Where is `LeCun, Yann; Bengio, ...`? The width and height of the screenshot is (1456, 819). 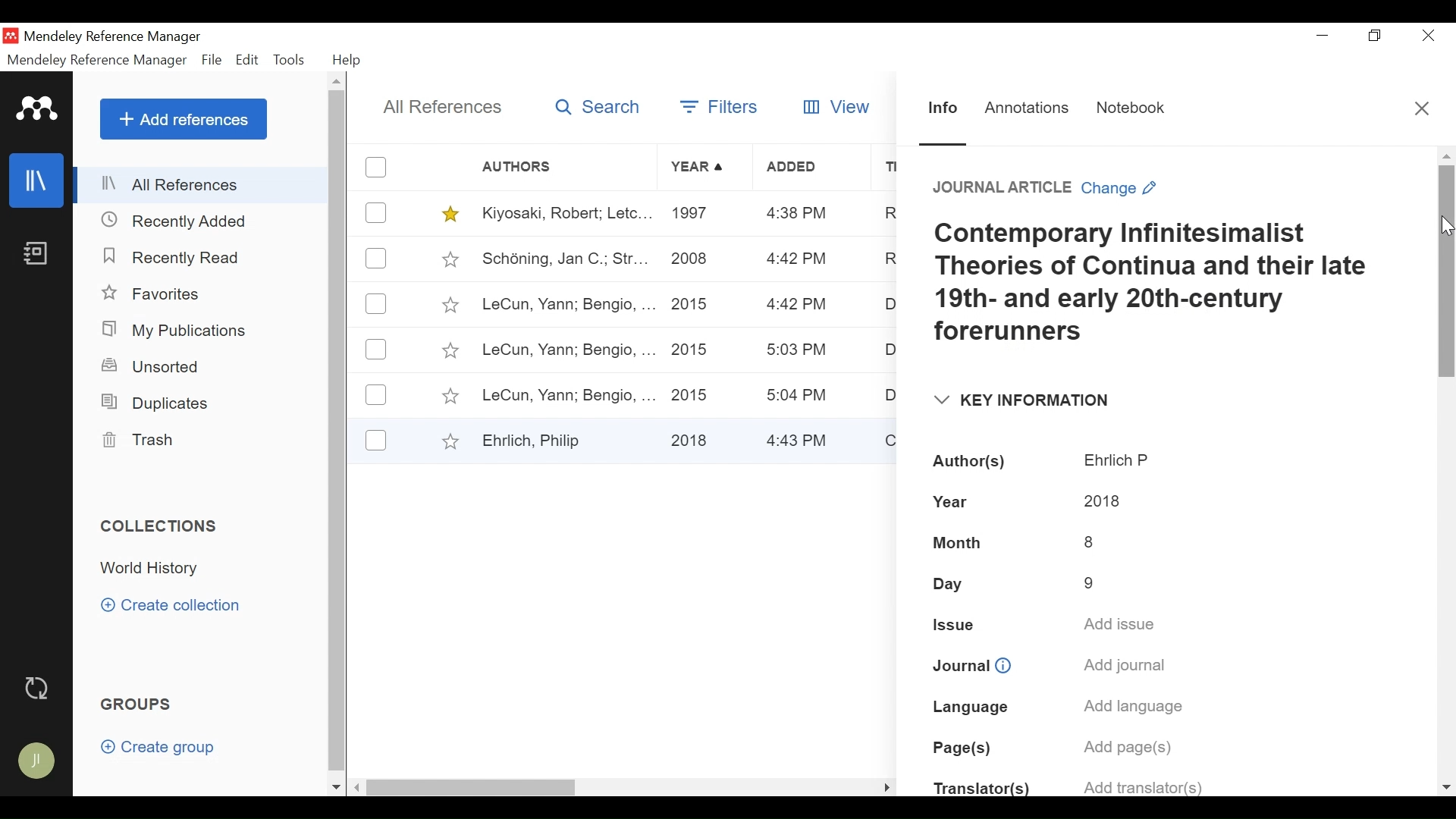 LeCun, Yann; Bengio, ... is located at coordinates (567, 306).